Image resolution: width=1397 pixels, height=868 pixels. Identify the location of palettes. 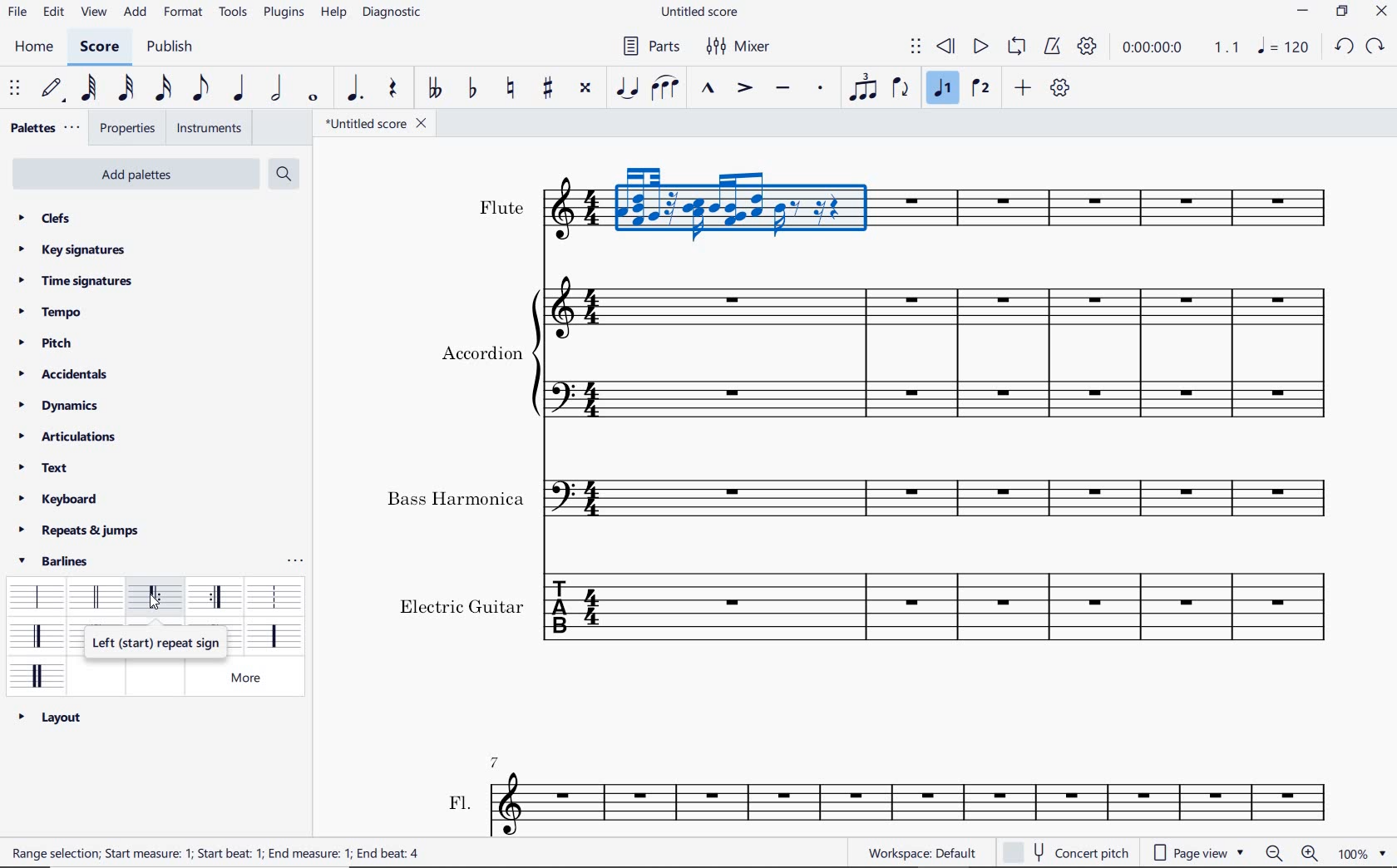
(43, 128).